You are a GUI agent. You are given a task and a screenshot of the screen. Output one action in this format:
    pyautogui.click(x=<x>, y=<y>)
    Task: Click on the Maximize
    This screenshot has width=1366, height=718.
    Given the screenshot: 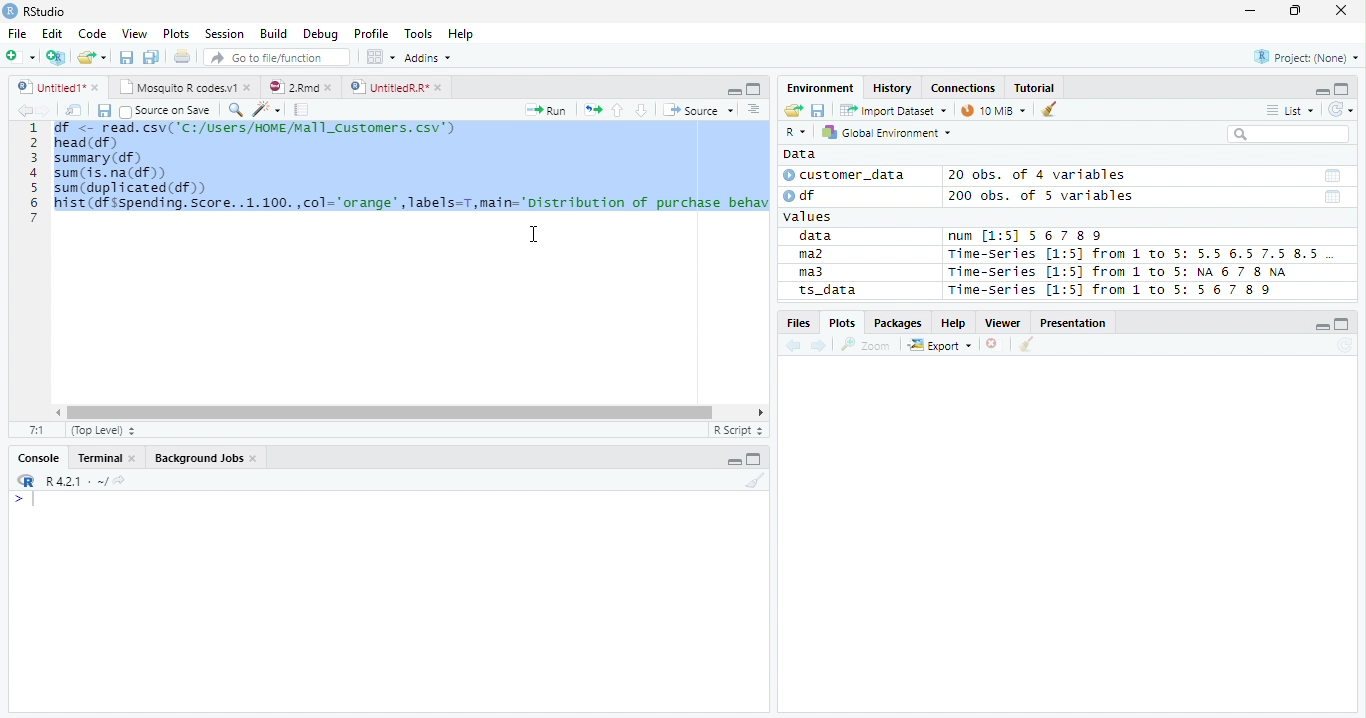 What is the action you would take?
    pyautogui.click(x=753, y=88)
    